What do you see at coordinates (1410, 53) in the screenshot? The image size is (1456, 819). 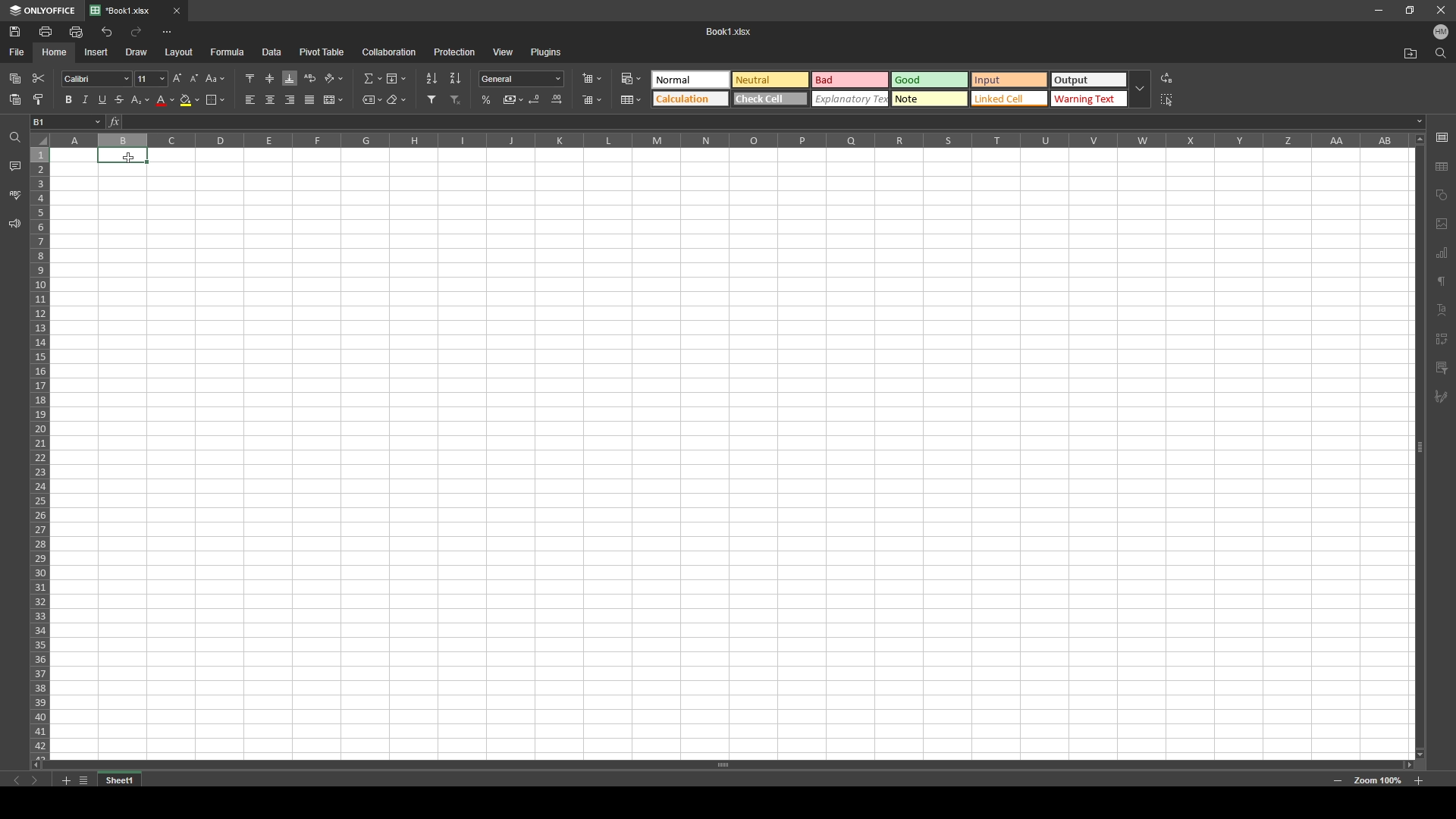 I see `locate file` at bounding box center [1410, 53].